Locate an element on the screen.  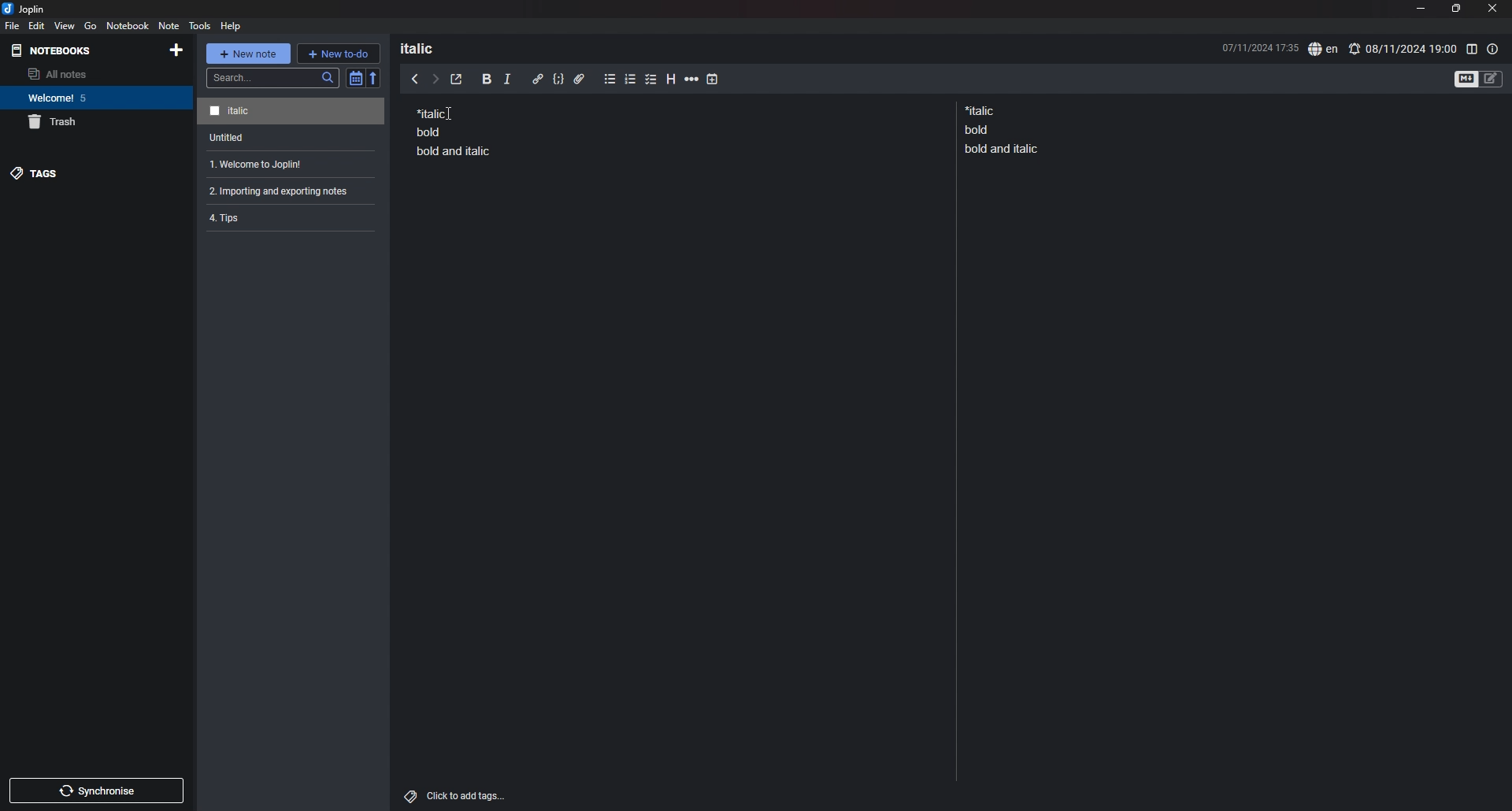
previous is located at coordinates (415, 78).